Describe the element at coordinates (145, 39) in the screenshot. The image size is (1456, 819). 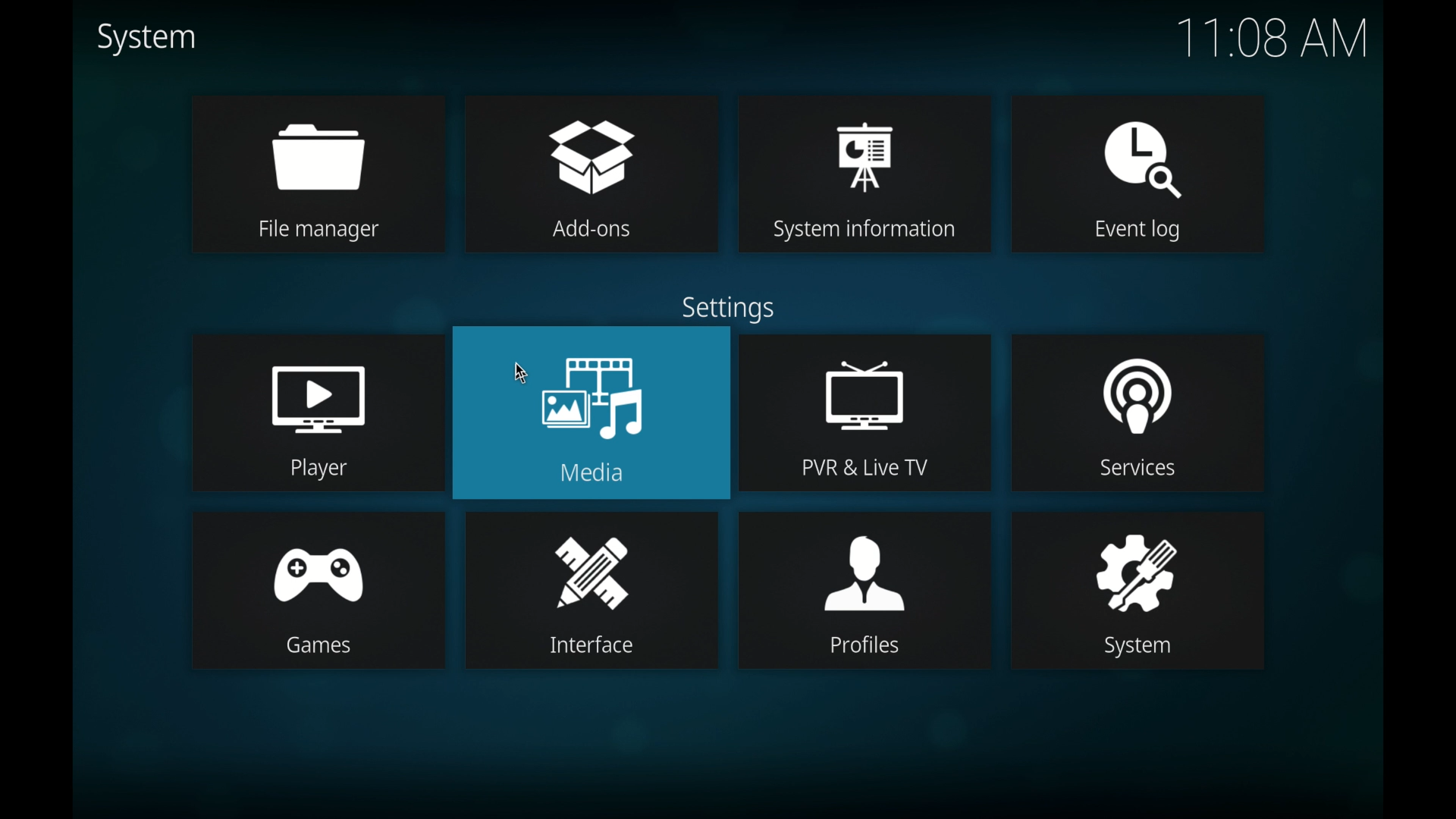
I see `system` at that location.